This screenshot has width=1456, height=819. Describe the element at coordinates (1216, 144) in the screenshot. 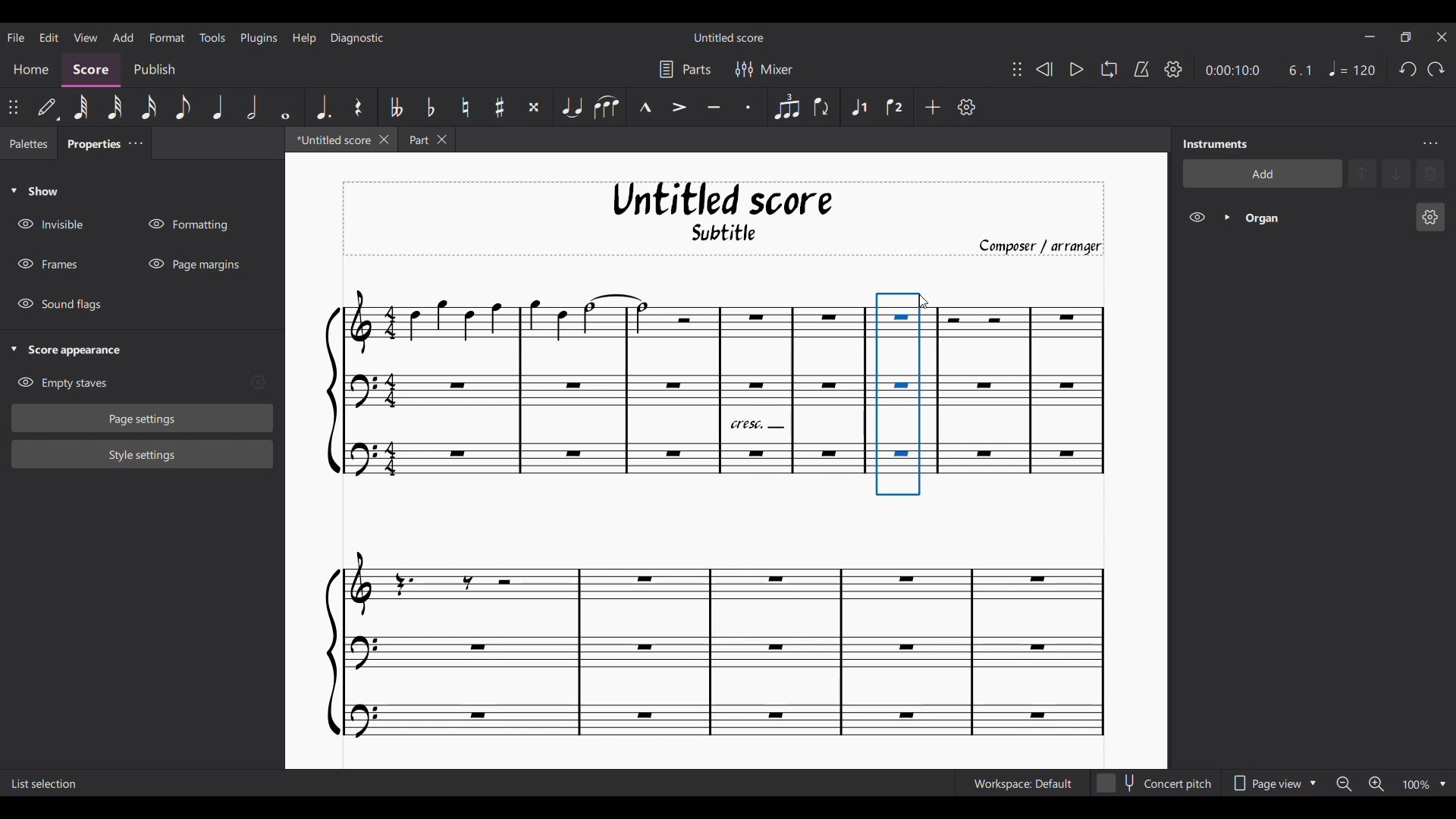

I see `Panel title` at that location.